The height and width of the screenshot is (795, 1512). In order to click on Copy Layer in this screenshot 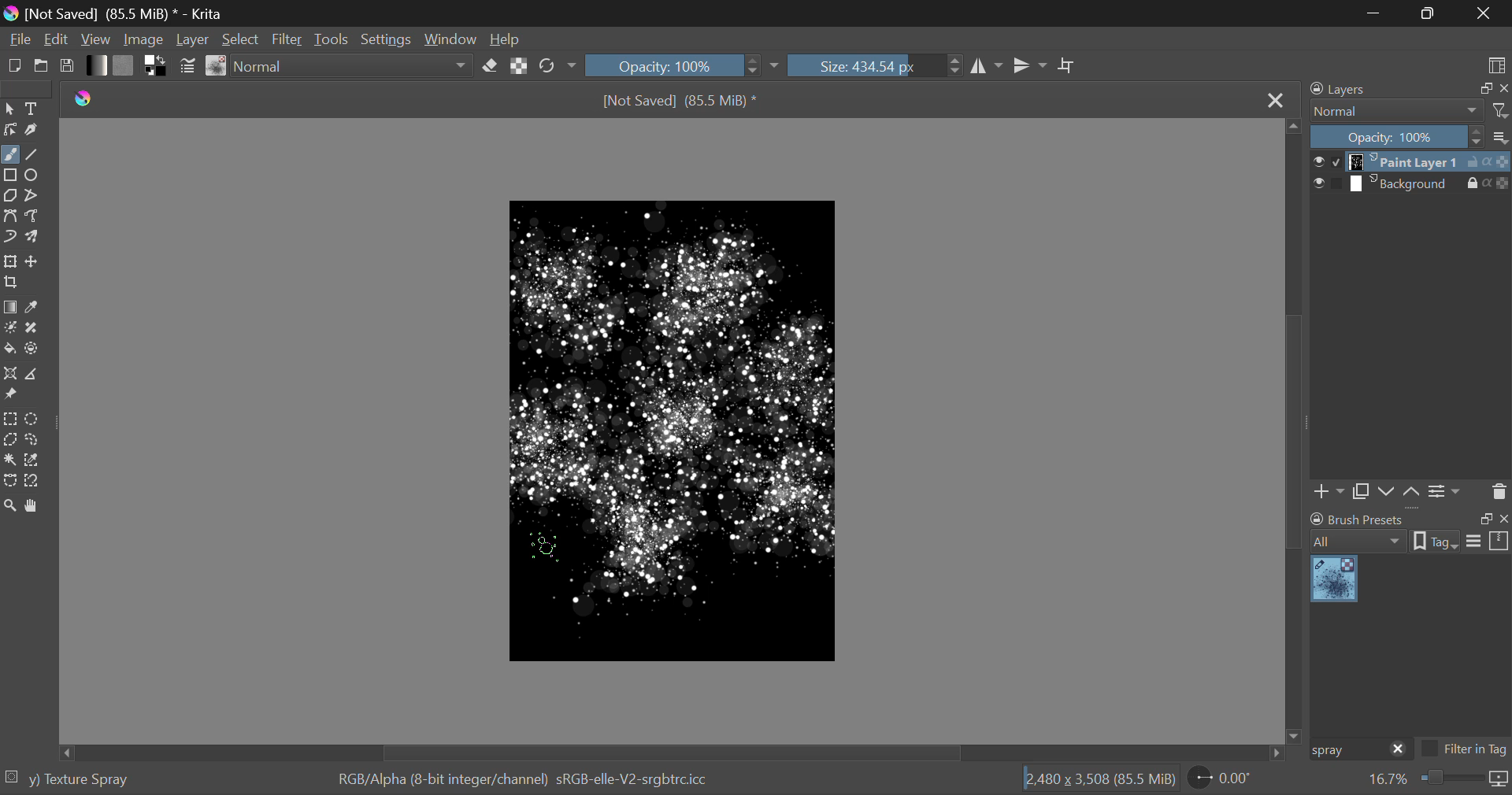, I will do `click(1361, 494)`.